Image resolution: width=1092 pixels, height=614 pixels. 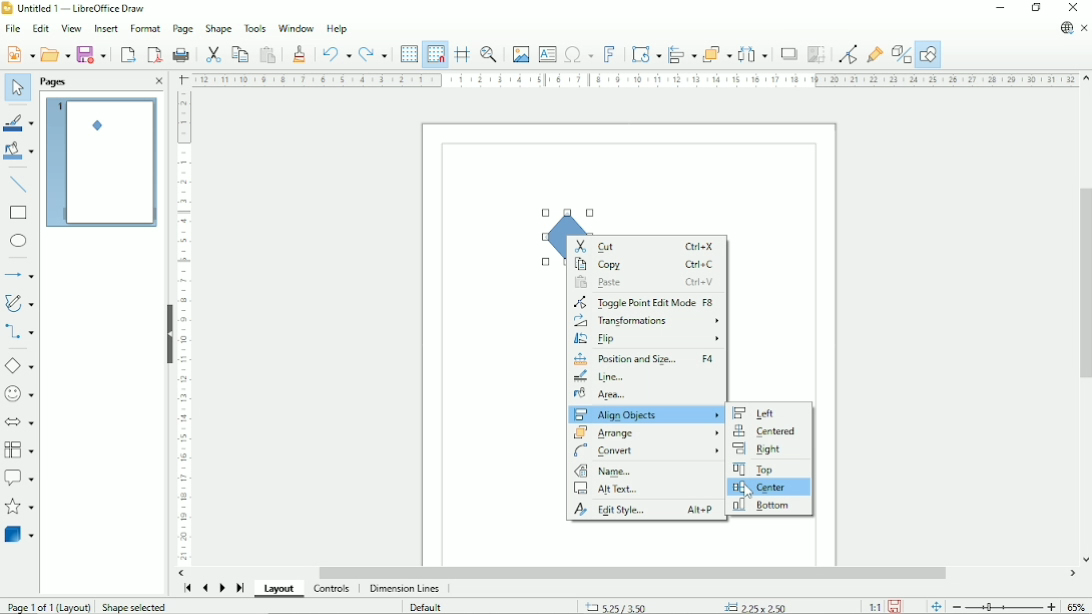 What do you see at coordinates (717, 53) in the screenshot?
I see `Arrange` at bounding box center [717, 53].